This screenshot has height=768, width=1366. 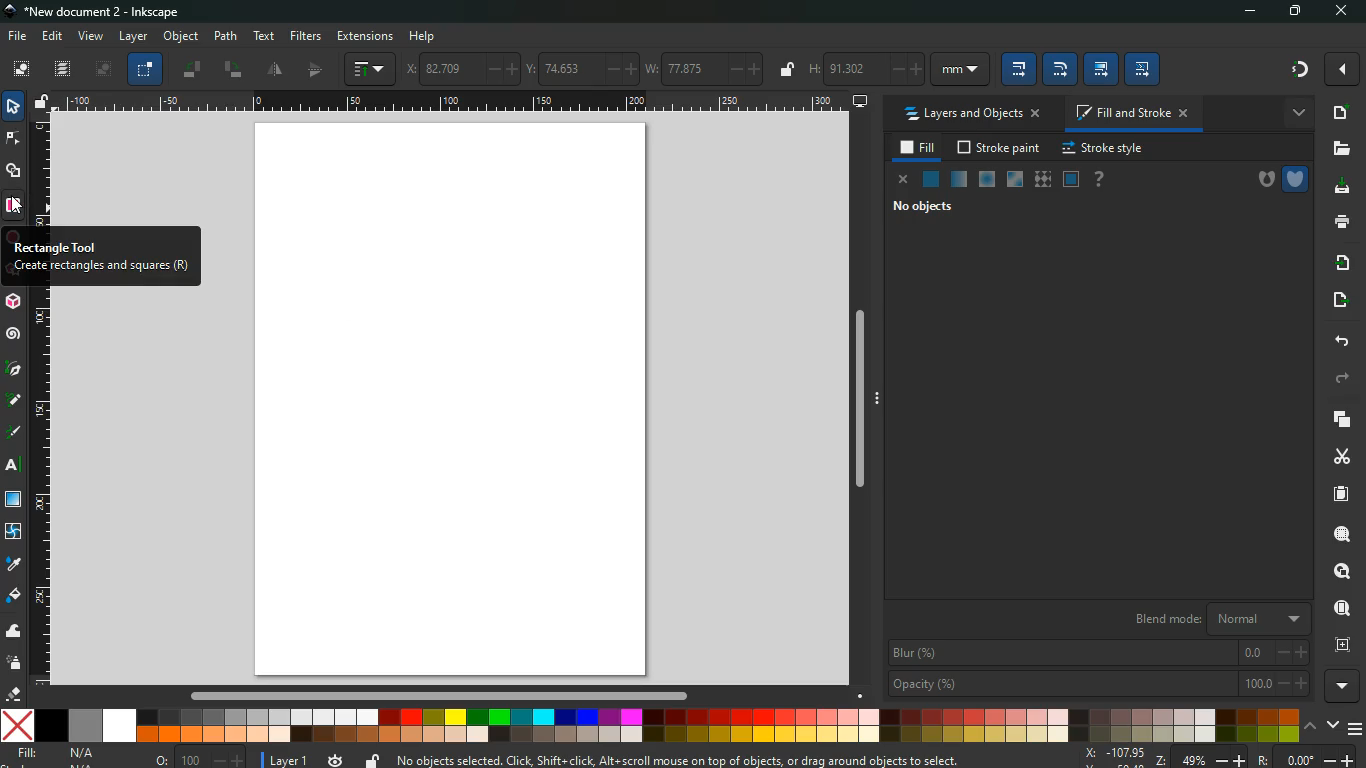 What do you see at coordinates (458, 69) in the screenshot?
I see `x` at bounding box center [458, 69].